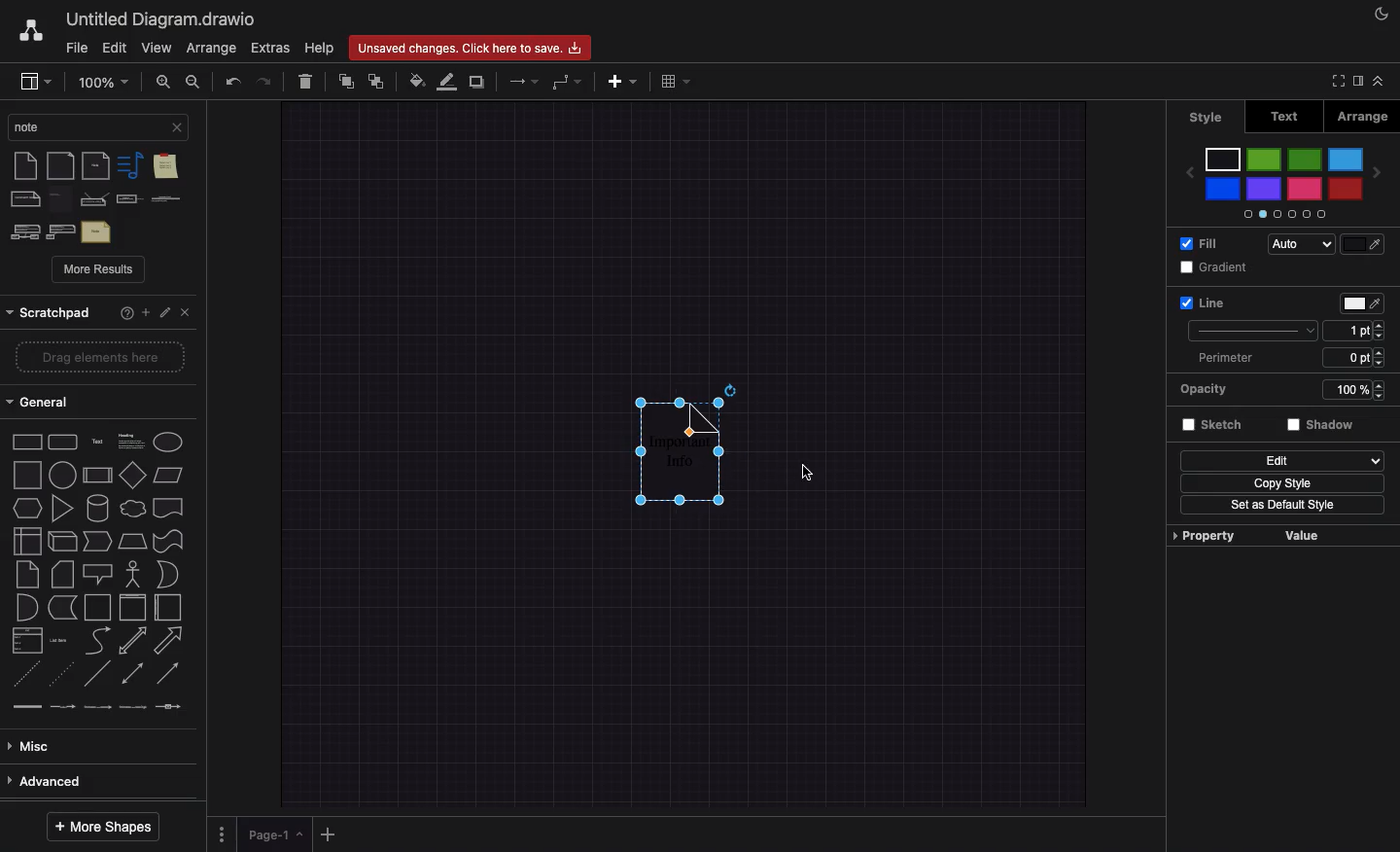 The image size is (1400, 852). I want to click on Opacity, so click(1211, 390).